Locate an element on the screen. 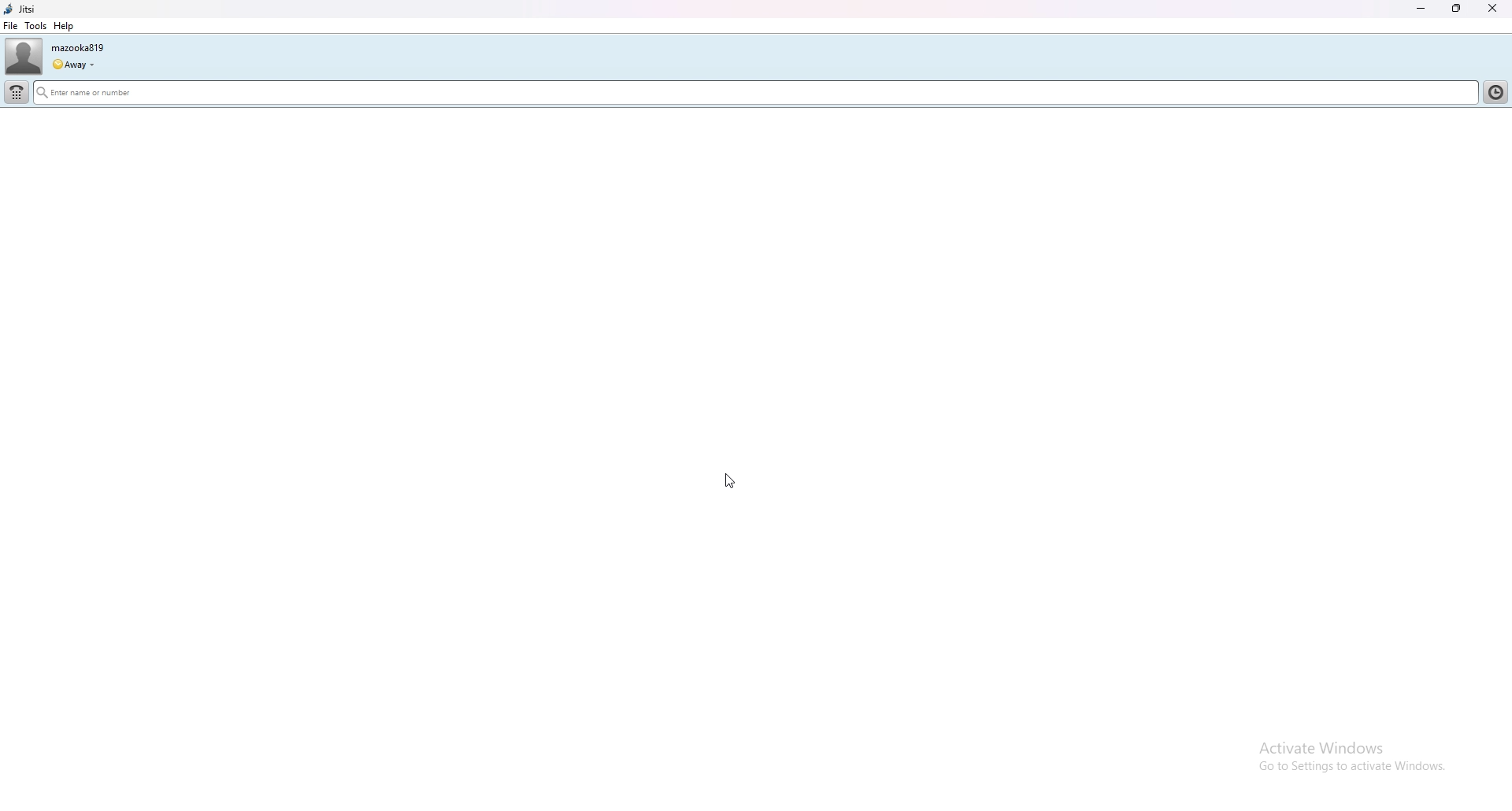 This screenshot has width=1512, height=811. tools is located at coordinates (35, 25).